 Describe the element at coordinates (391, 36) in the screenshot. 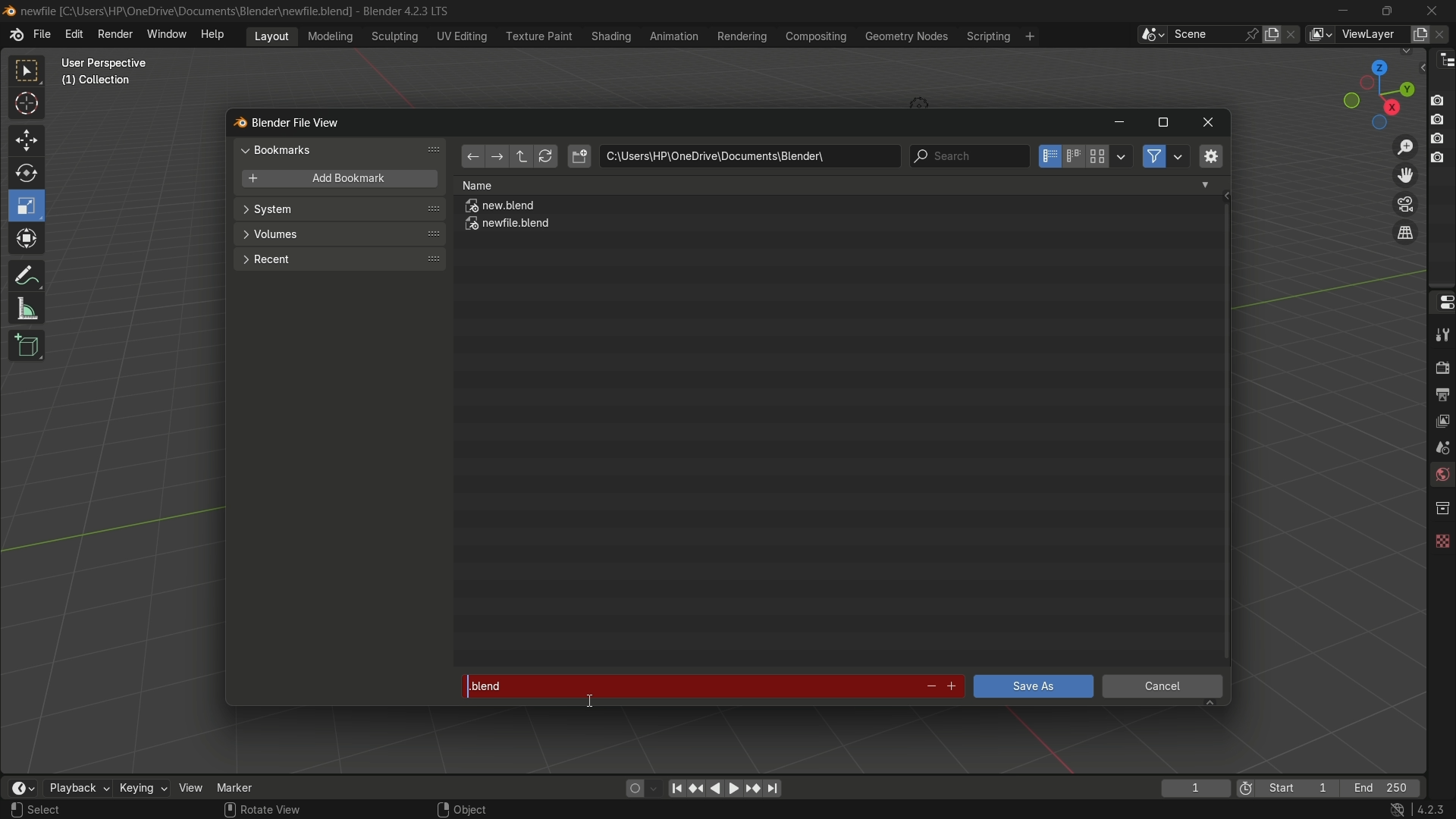

I see `sculpting menu` at that location.